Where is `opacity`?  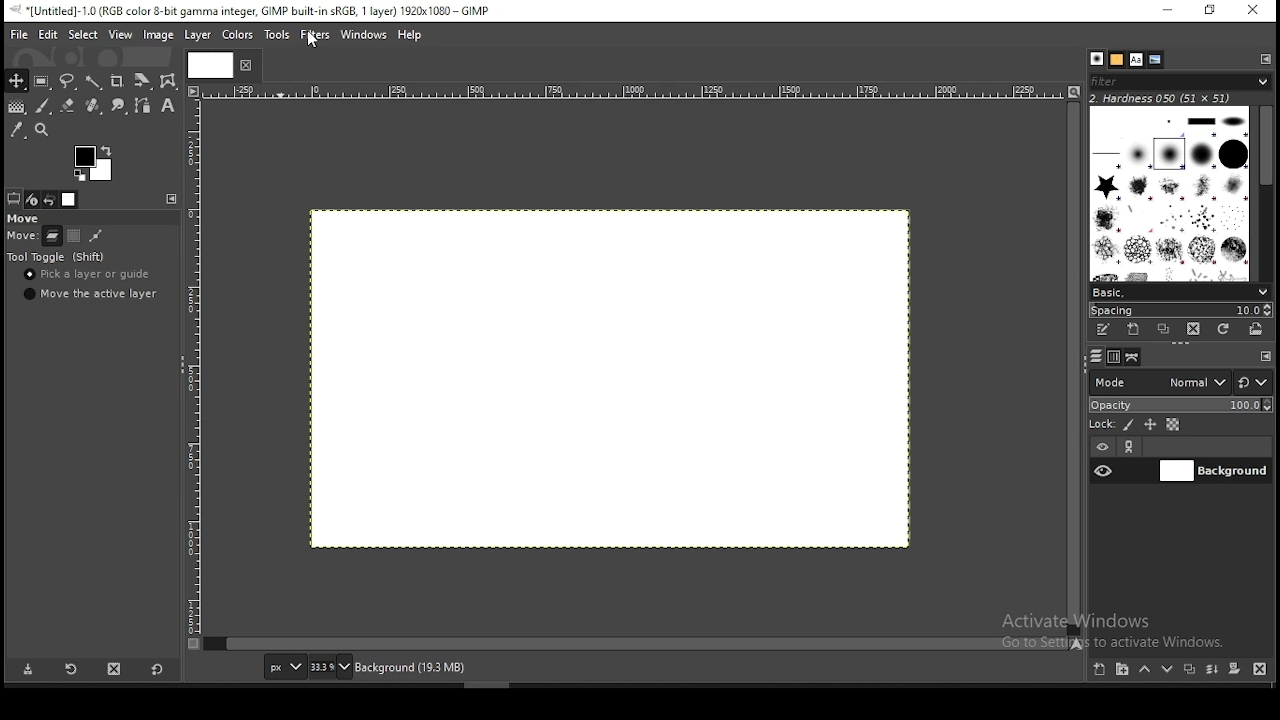 opacity is located at coordinates (1183, 405).